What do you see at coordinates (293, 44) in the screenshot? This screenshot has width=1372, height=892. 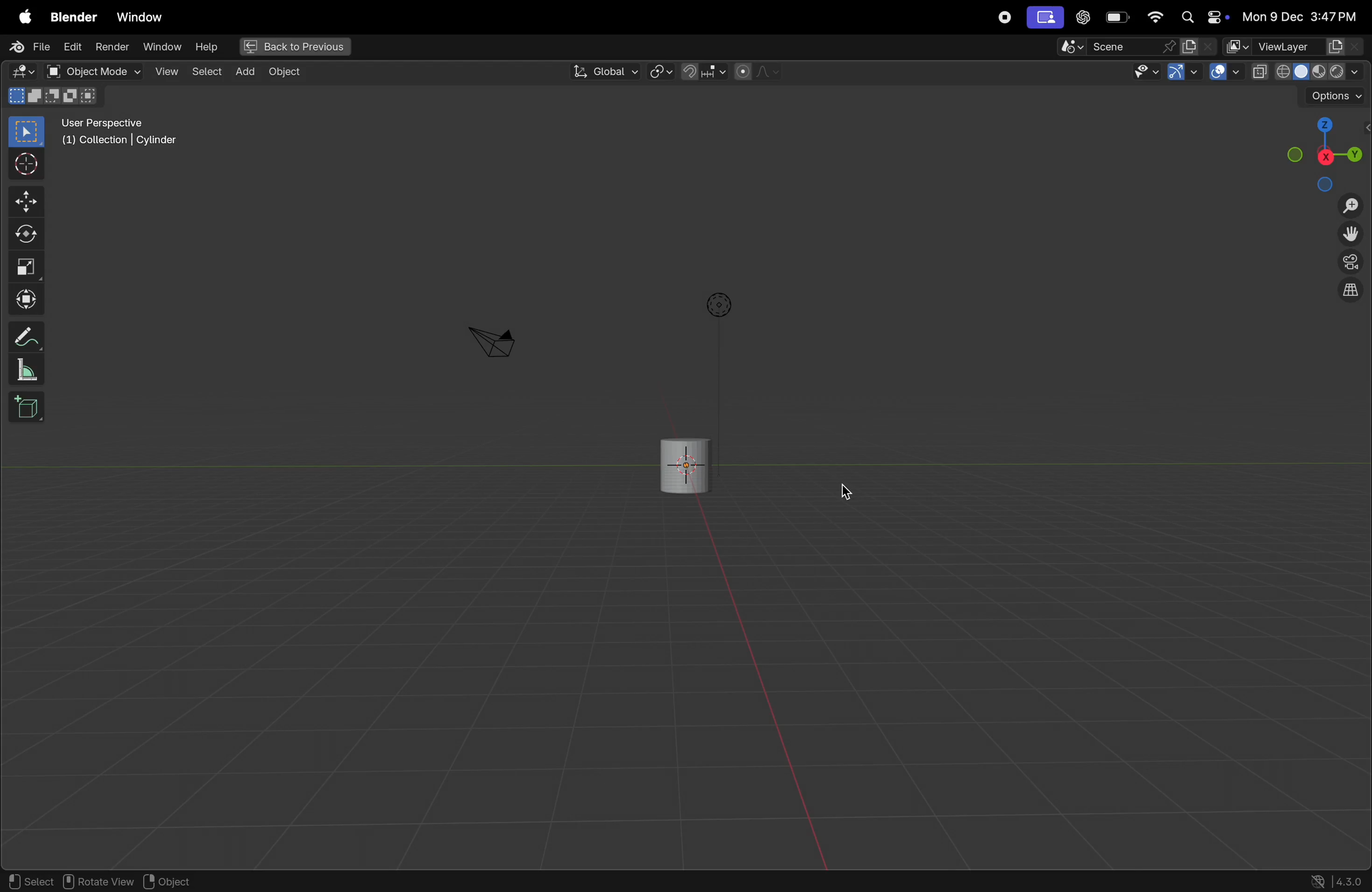 I see `back to previous` at bounding box center [293, 44].